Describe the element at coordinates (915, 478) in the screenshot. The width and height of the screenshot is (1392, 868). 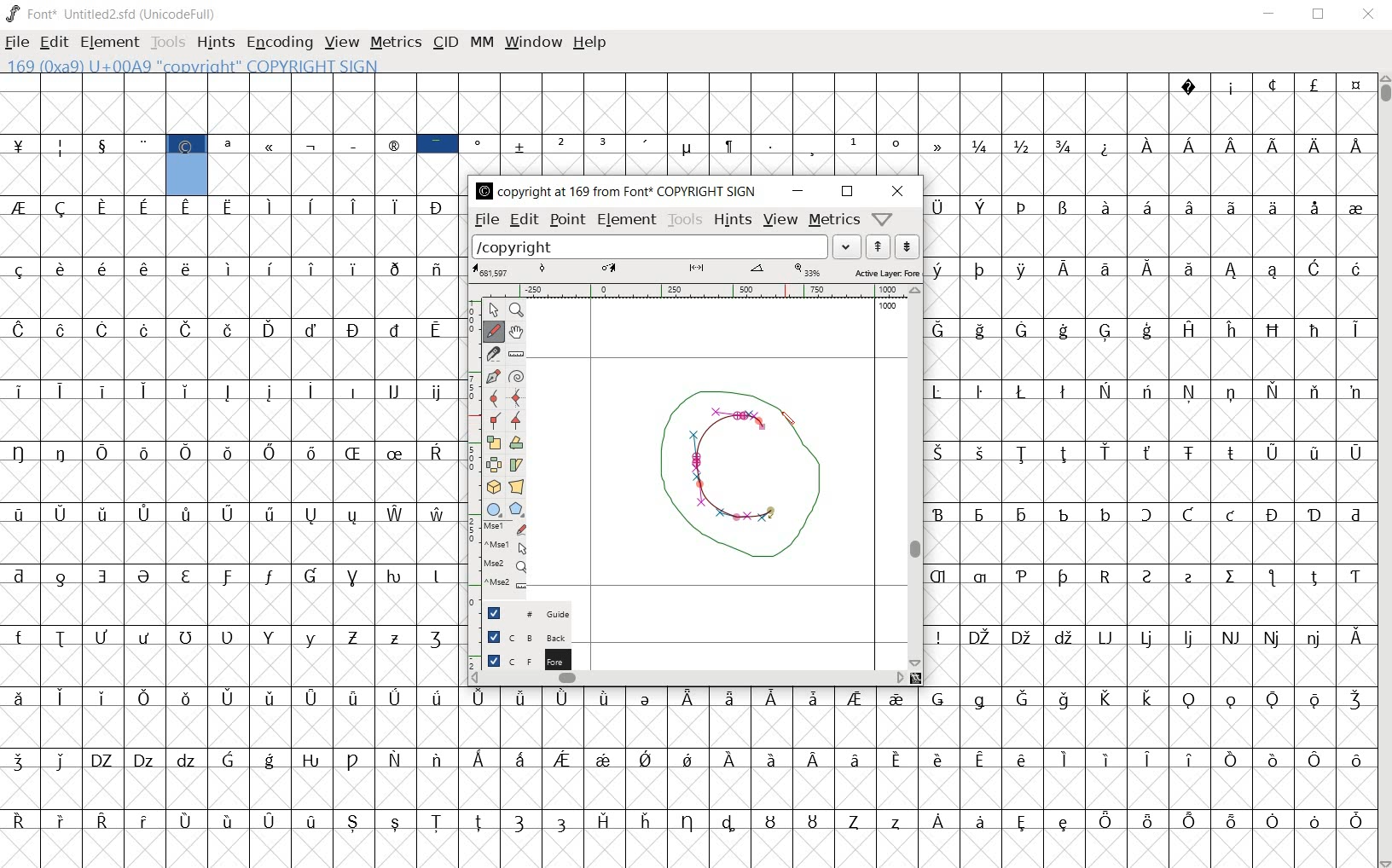
I see `scrollbar` at that location.